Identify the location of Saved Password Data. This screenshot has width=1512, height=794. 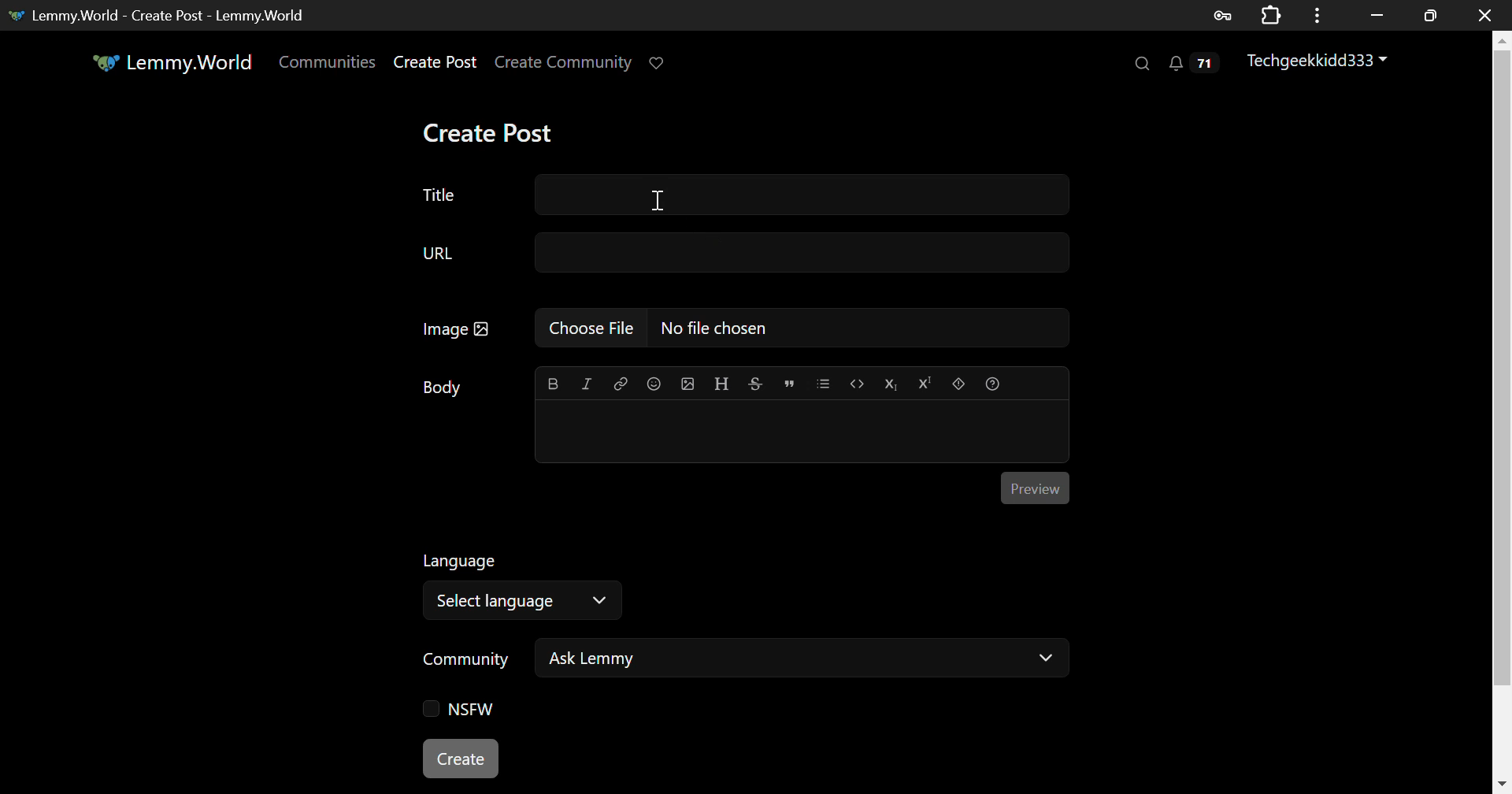
(1221, 16).